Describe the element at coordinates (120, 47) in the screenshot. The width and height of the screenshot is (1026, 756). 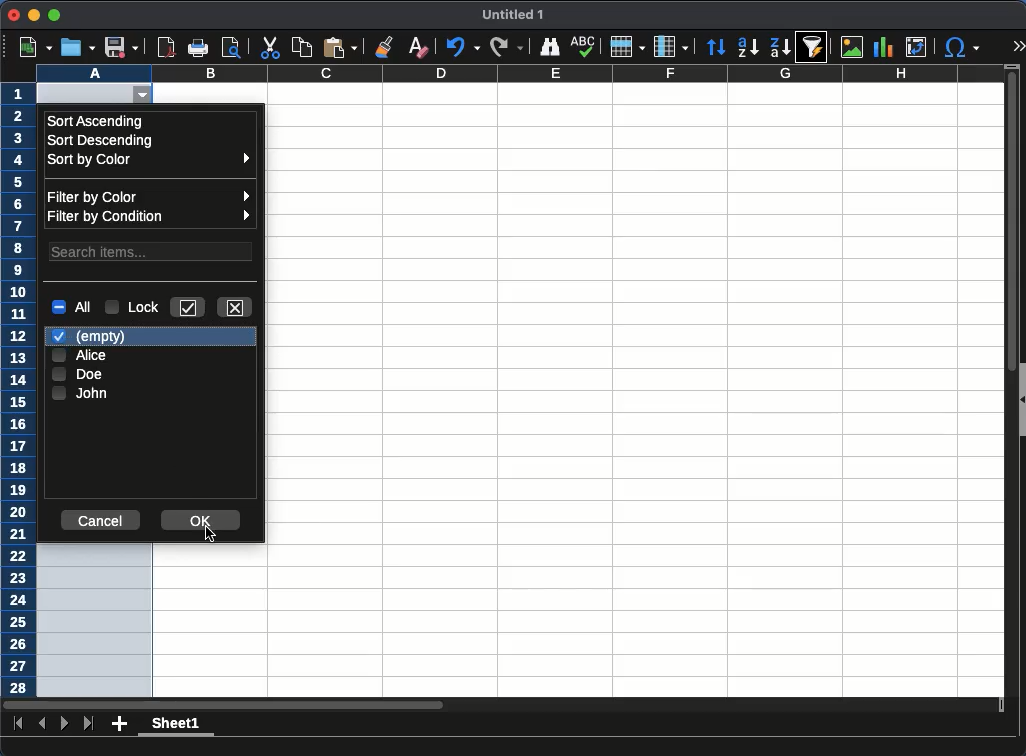
I see `save` at that location.